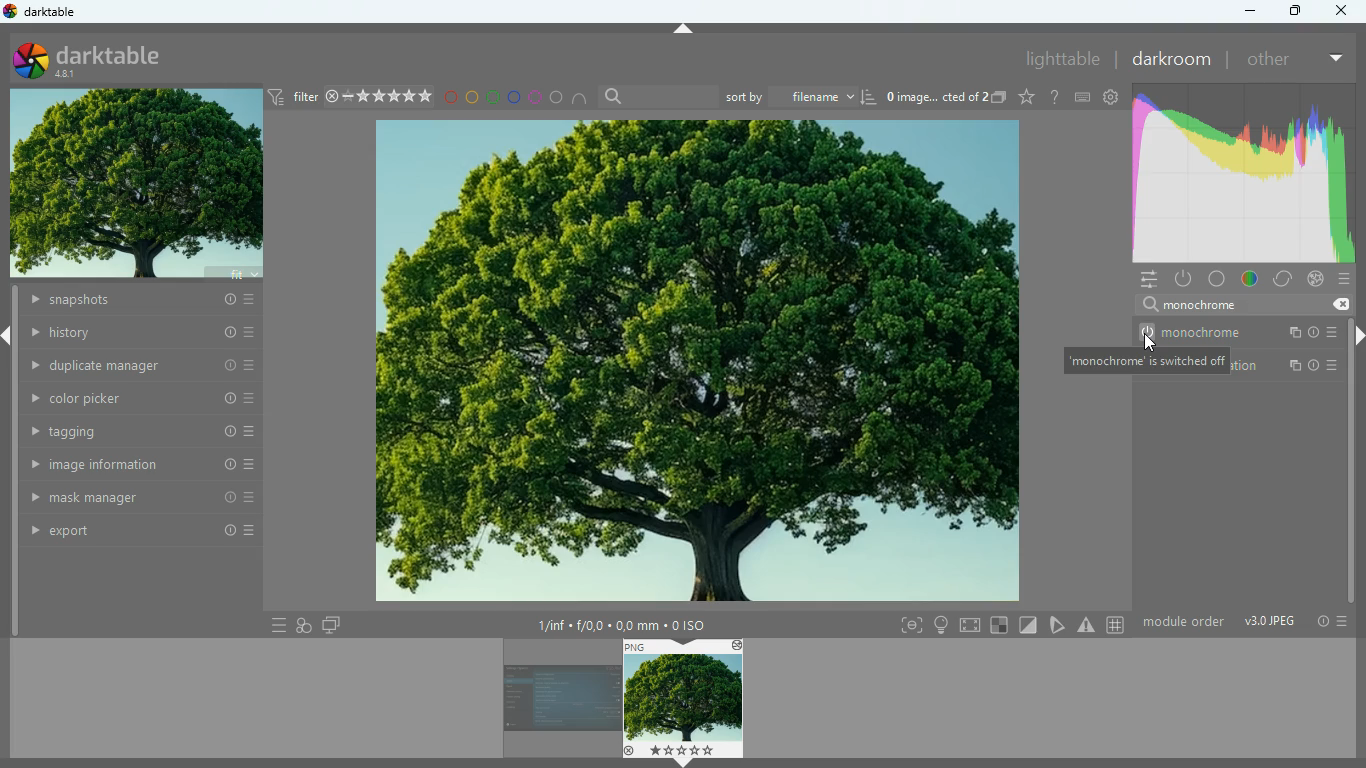  What do you see at coordinates (656, 96) in the screenshot?
I see `search` at bounding box center [656, 96].